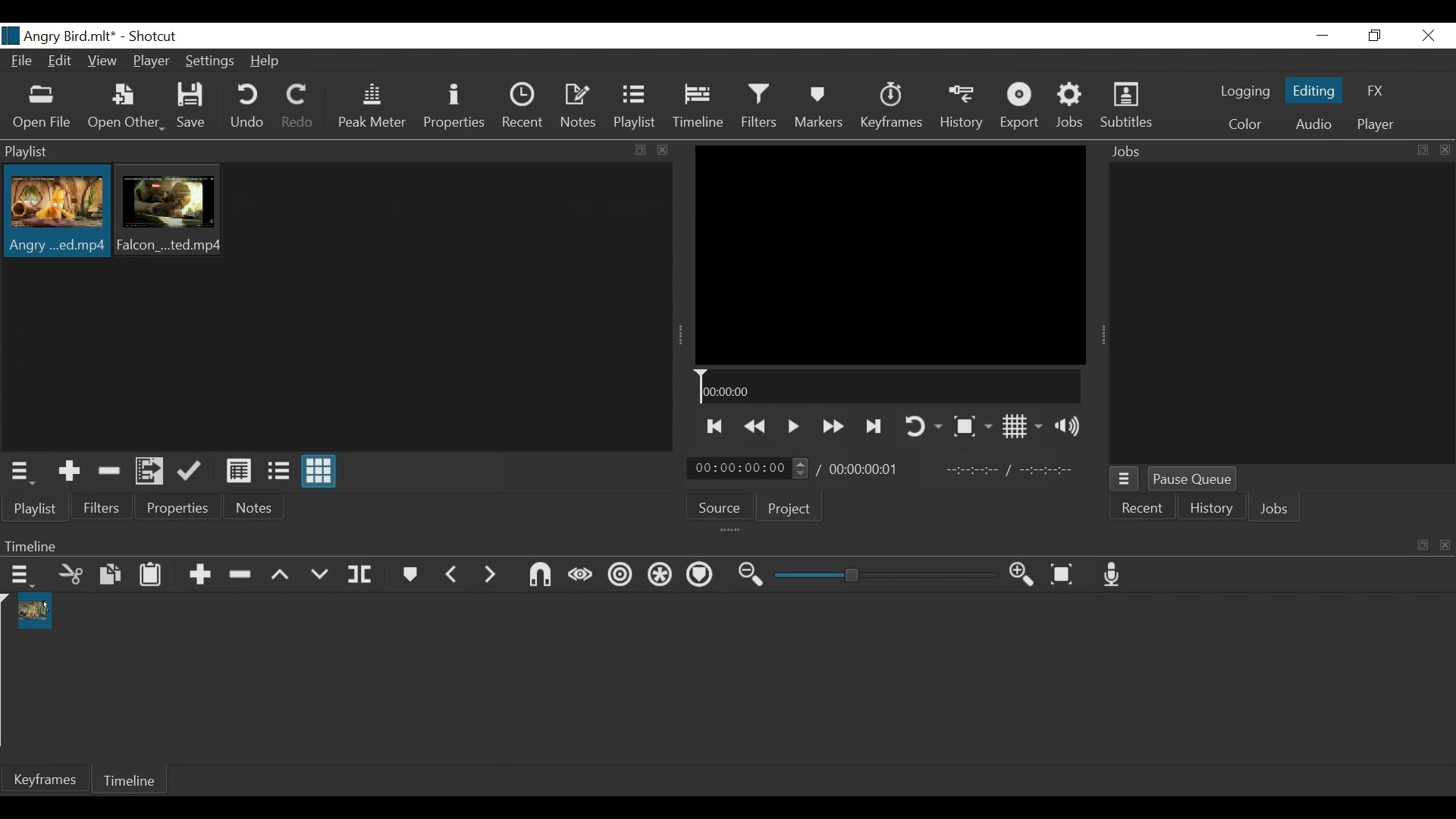  I want to click on Timeline, so click(889, 387).